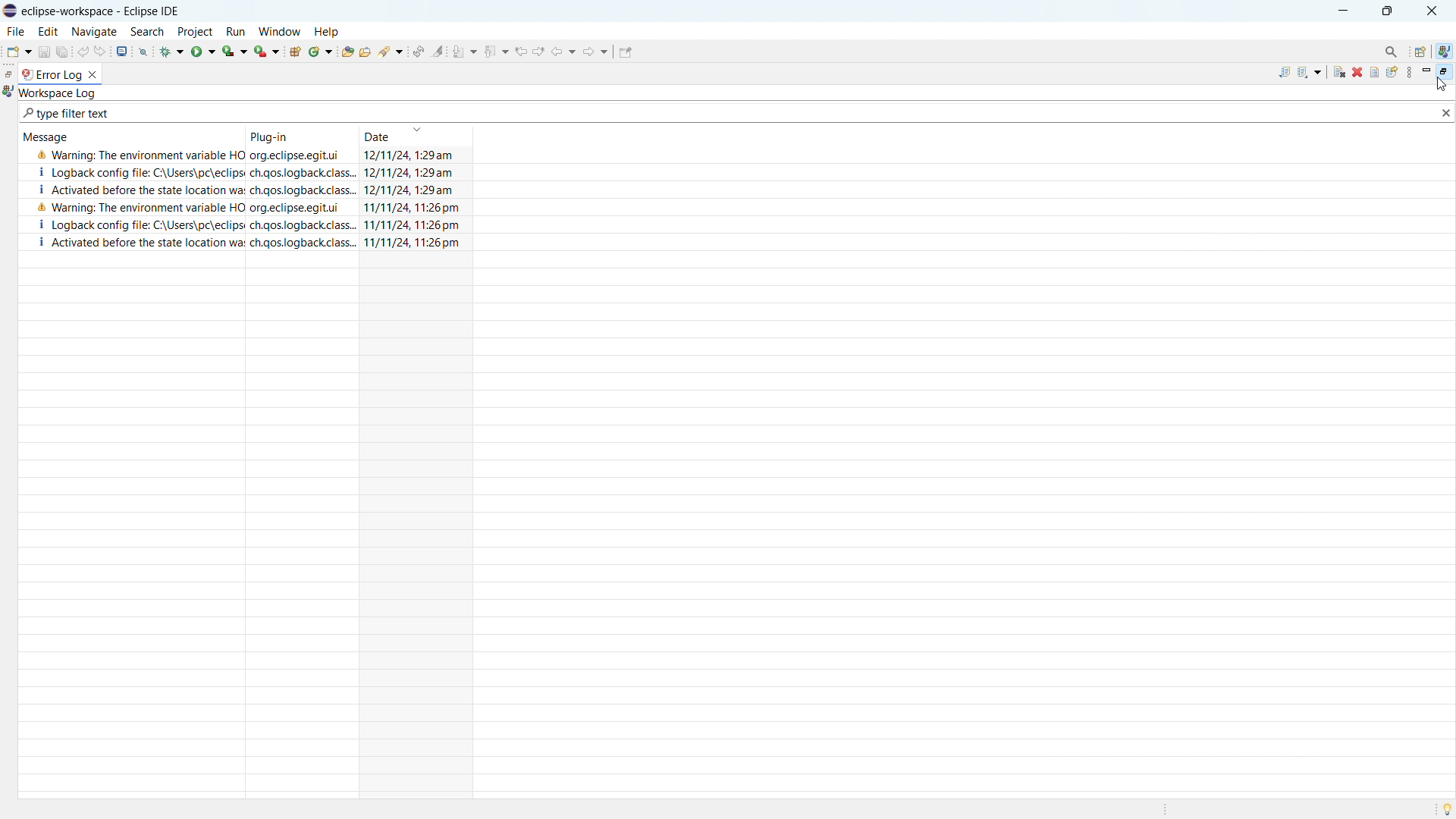  Describe the element at coordinates (303, 172) in the screenshot. I see `ch.qos.logback.class...` at that location.